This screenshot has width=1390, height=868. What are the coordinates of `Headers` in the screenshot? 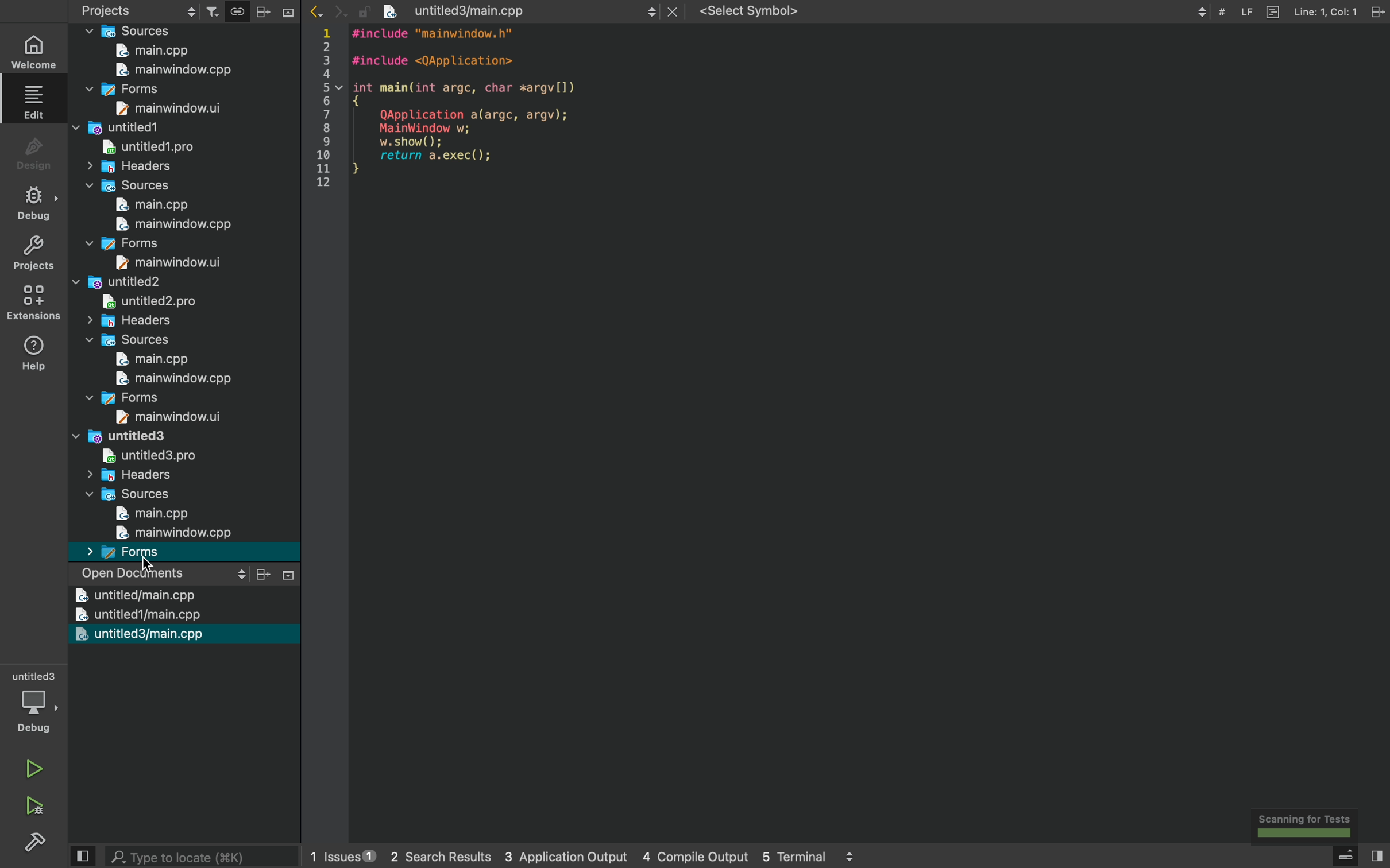 It's located at (130, 321).